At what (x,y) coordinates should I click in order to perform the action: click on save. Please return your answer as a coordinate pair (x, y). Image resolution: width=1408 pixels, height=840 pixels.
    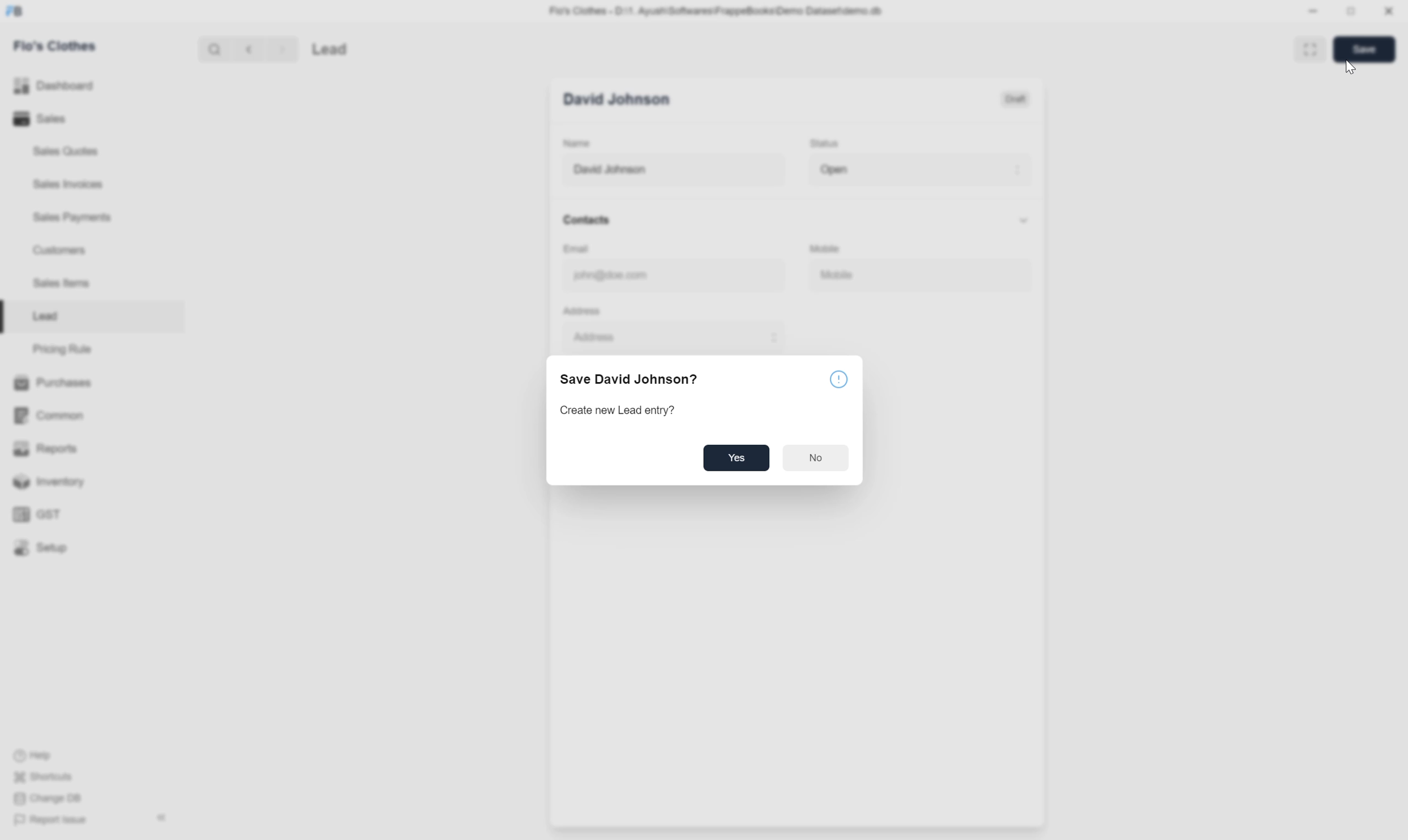
    Looking at the image, I should click on (1366, 49).